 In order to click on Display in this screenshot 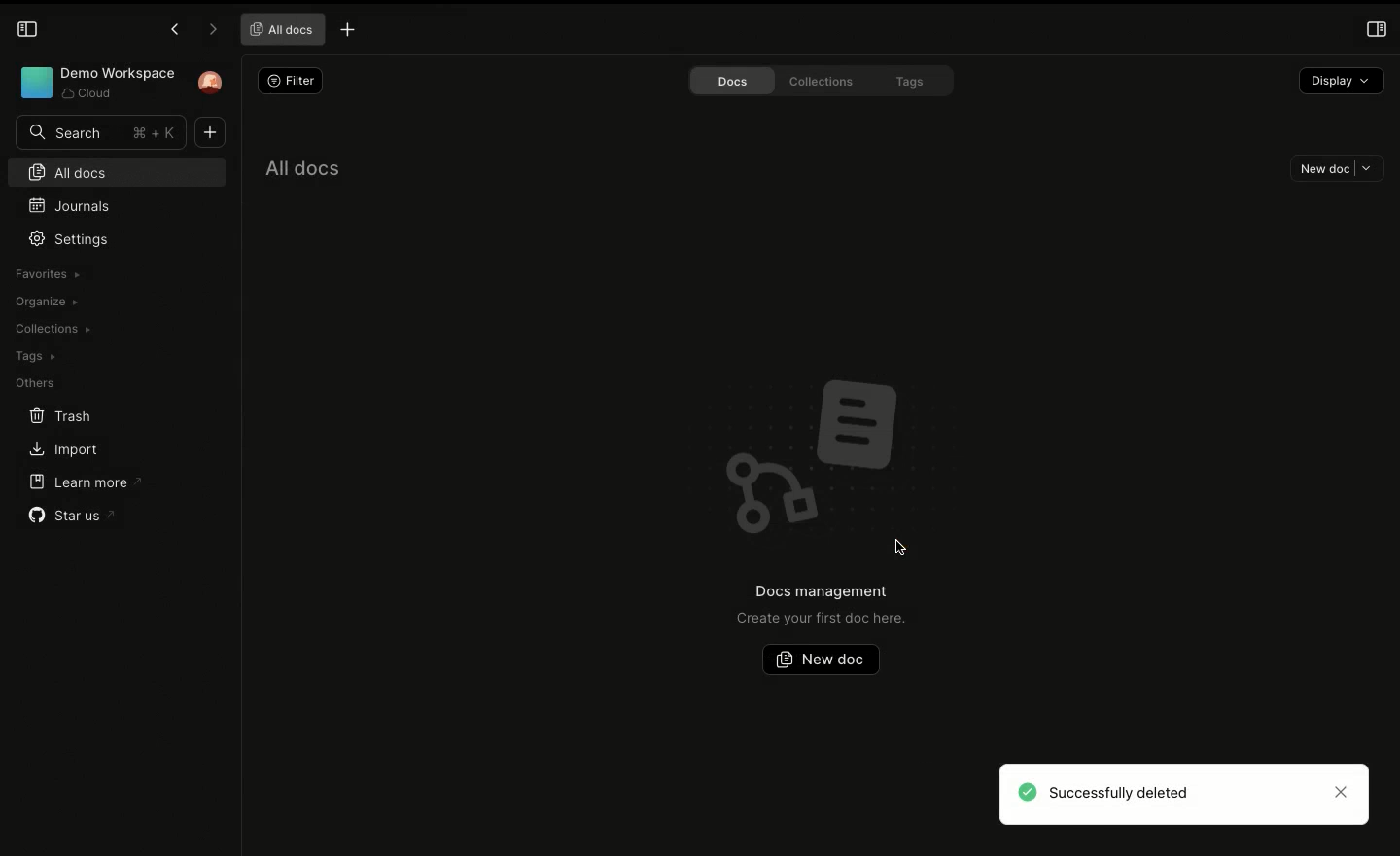, I will do `click(1340, 78)`.